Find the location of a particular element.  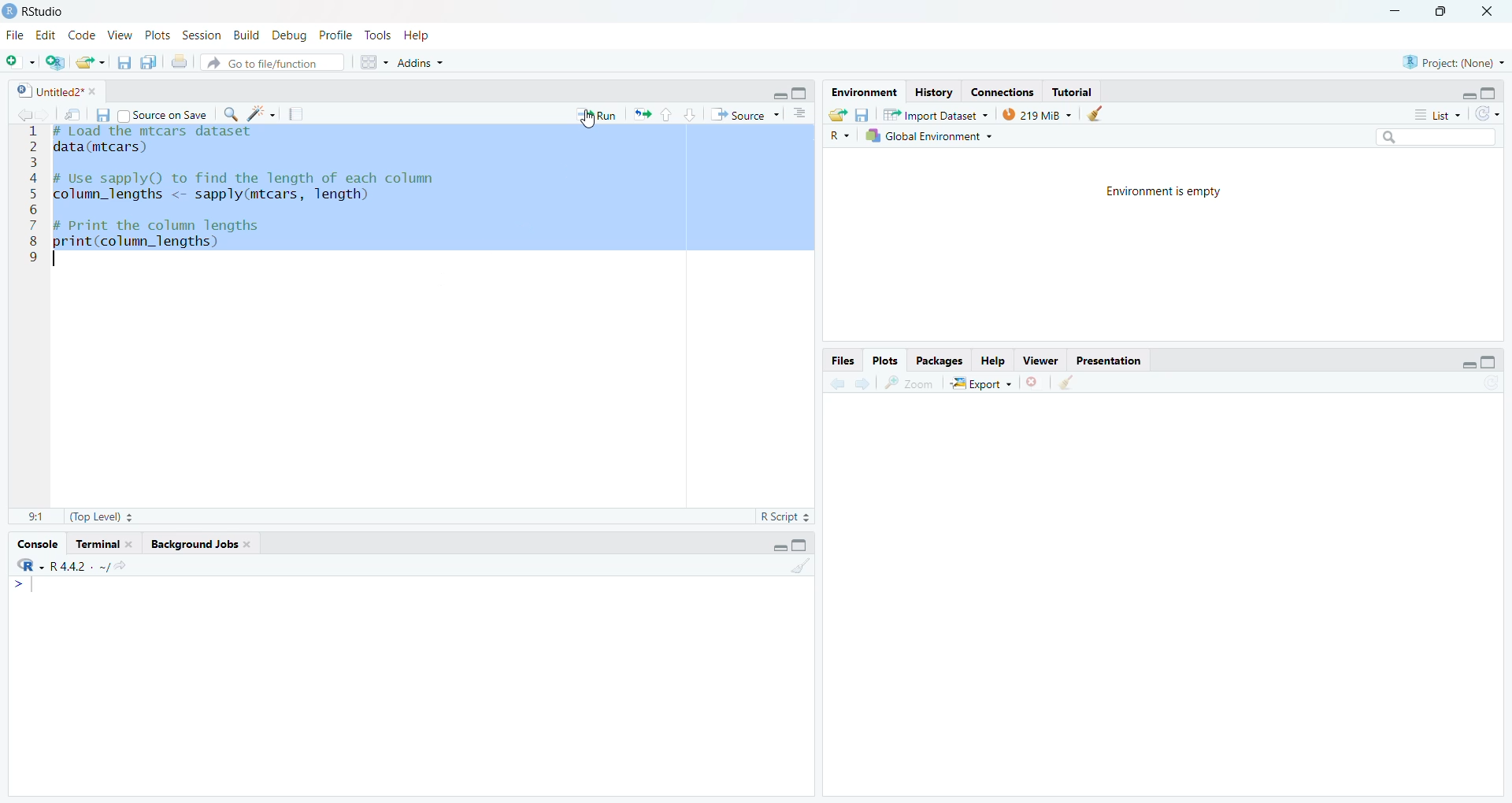

Tools is located at coordinates (380, 35).